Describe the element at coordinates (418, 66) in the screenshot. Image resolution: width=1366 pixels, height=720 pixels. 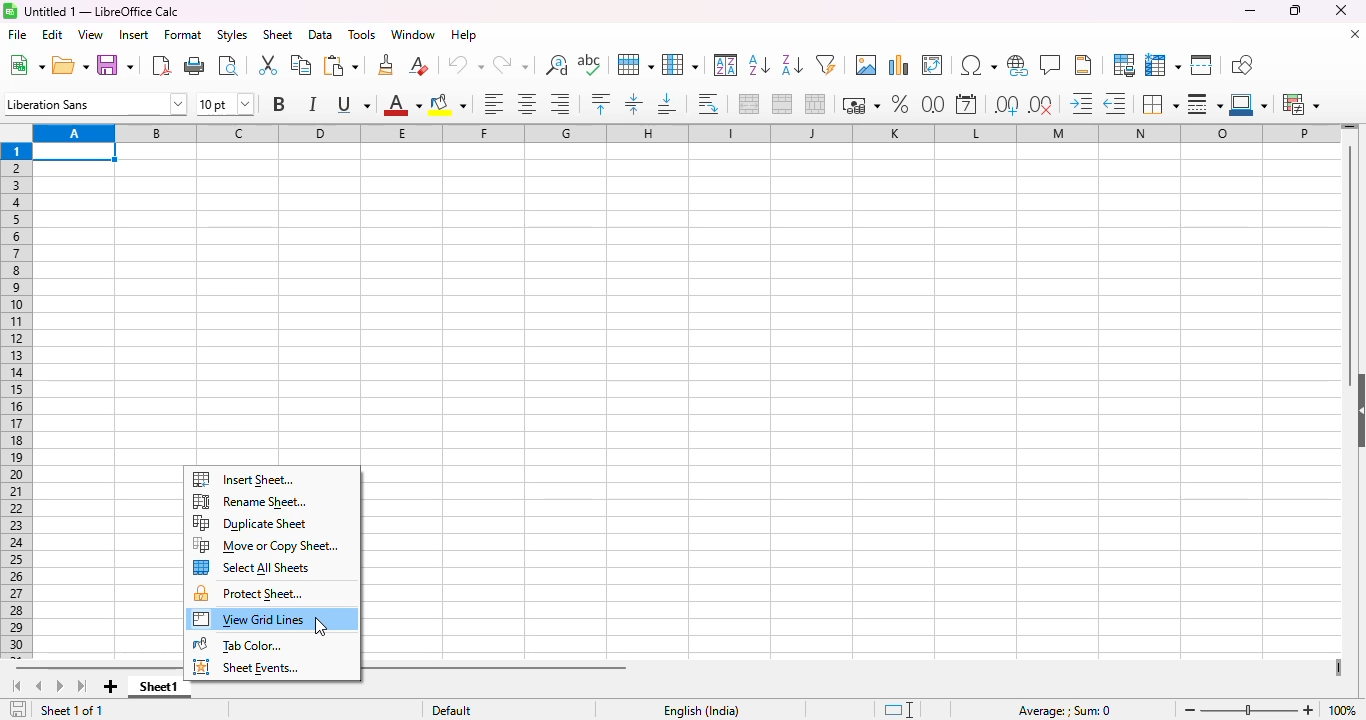
I see `clear direct formatting` at that location.